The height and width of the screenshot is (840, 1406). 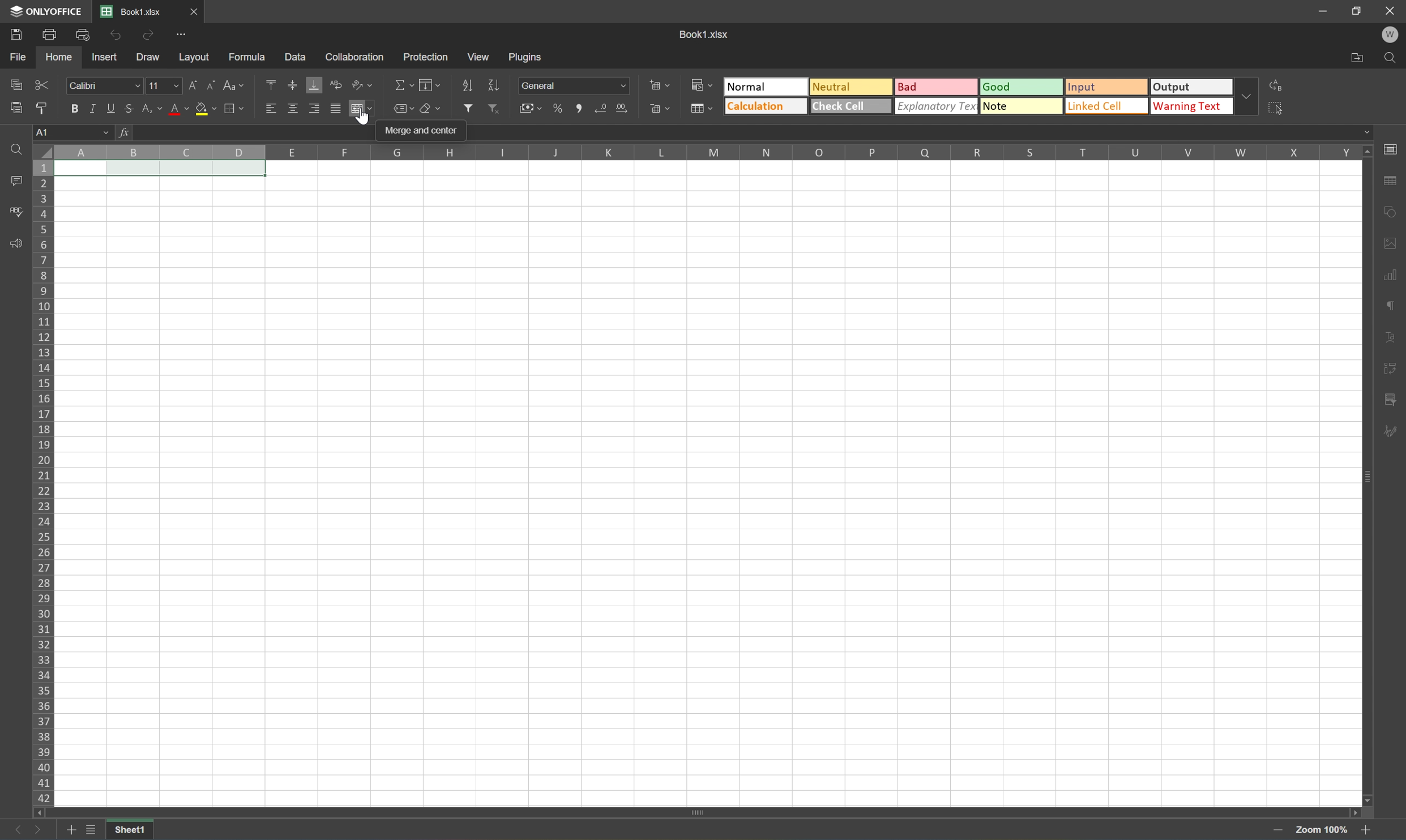 I want to click on Pivot table settings, so click(x=1390, y=401).